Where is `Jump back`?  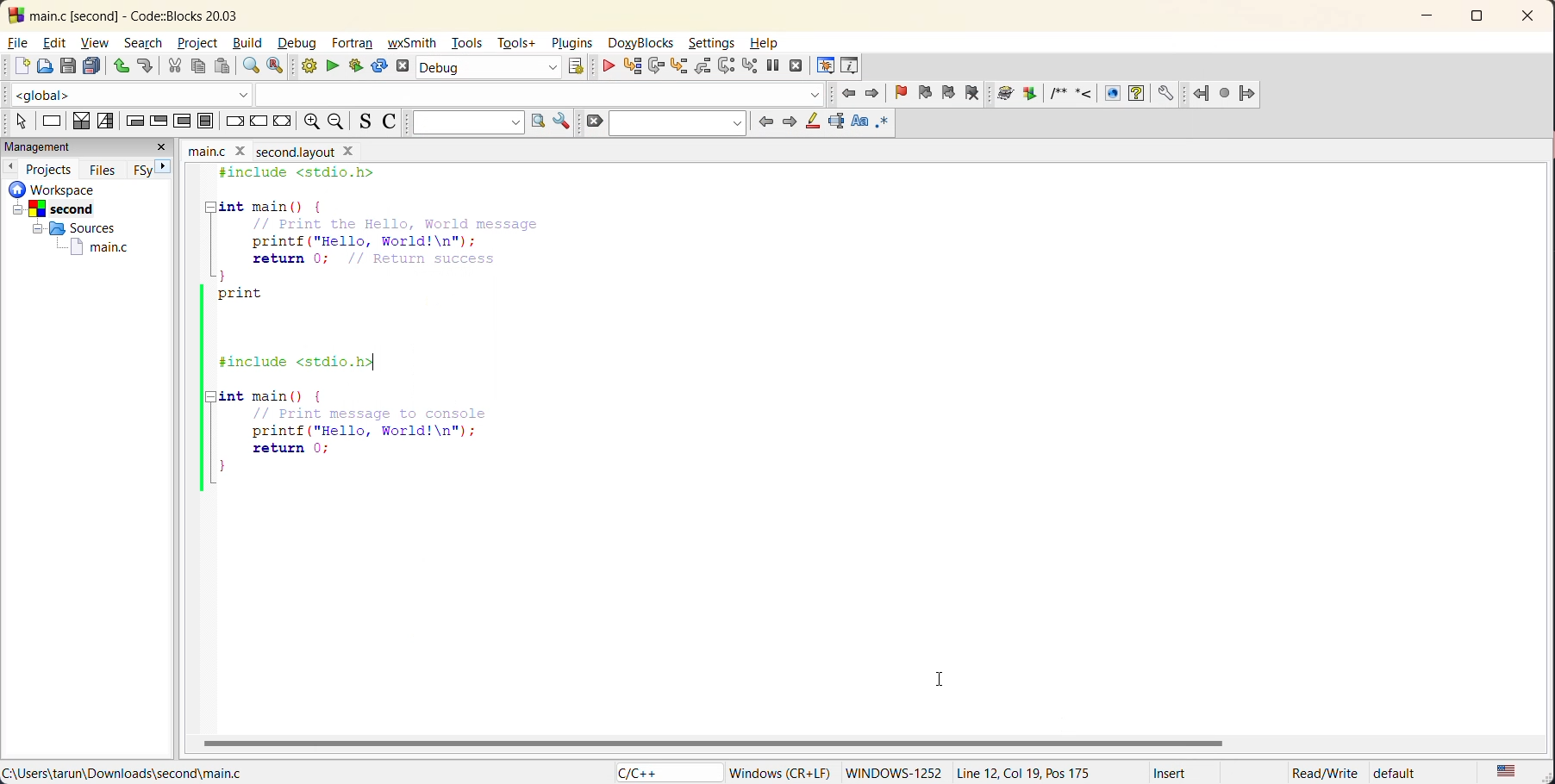
Jump back is located at coordinates (1199, 95).